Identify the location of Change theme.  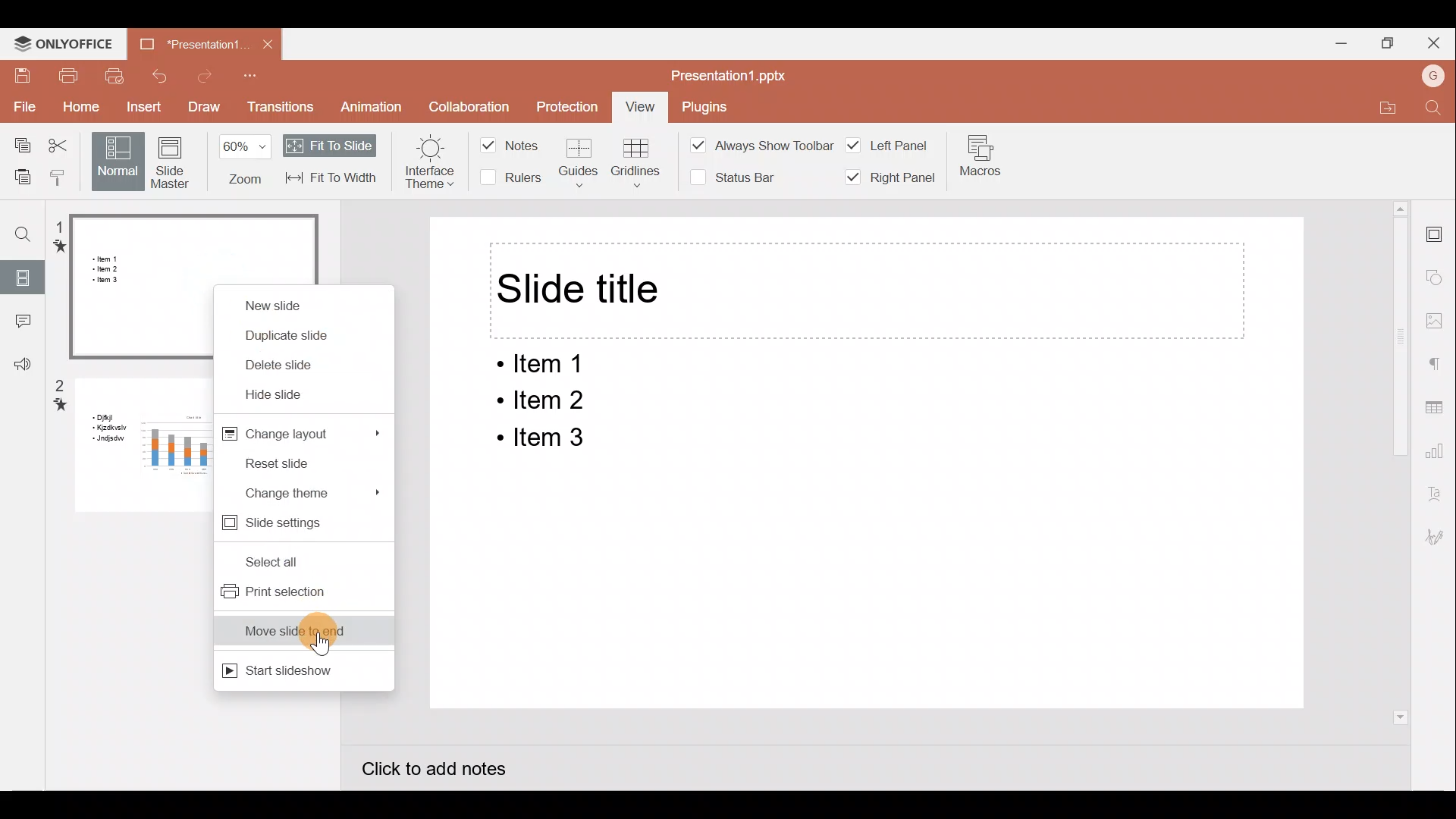
(305, 491).